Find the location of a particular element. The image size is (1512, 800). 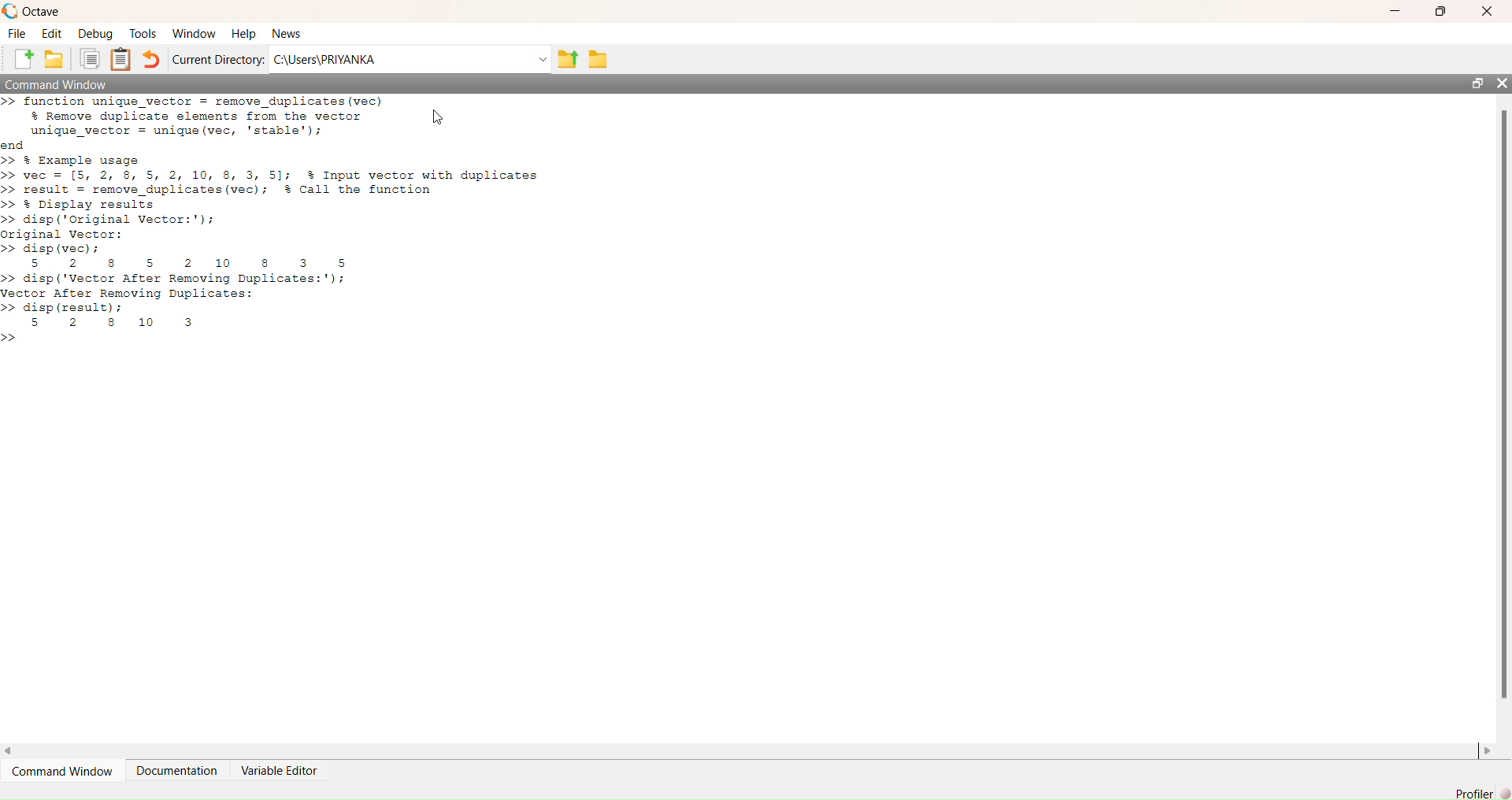

octave is located at coordinates (43, 13).